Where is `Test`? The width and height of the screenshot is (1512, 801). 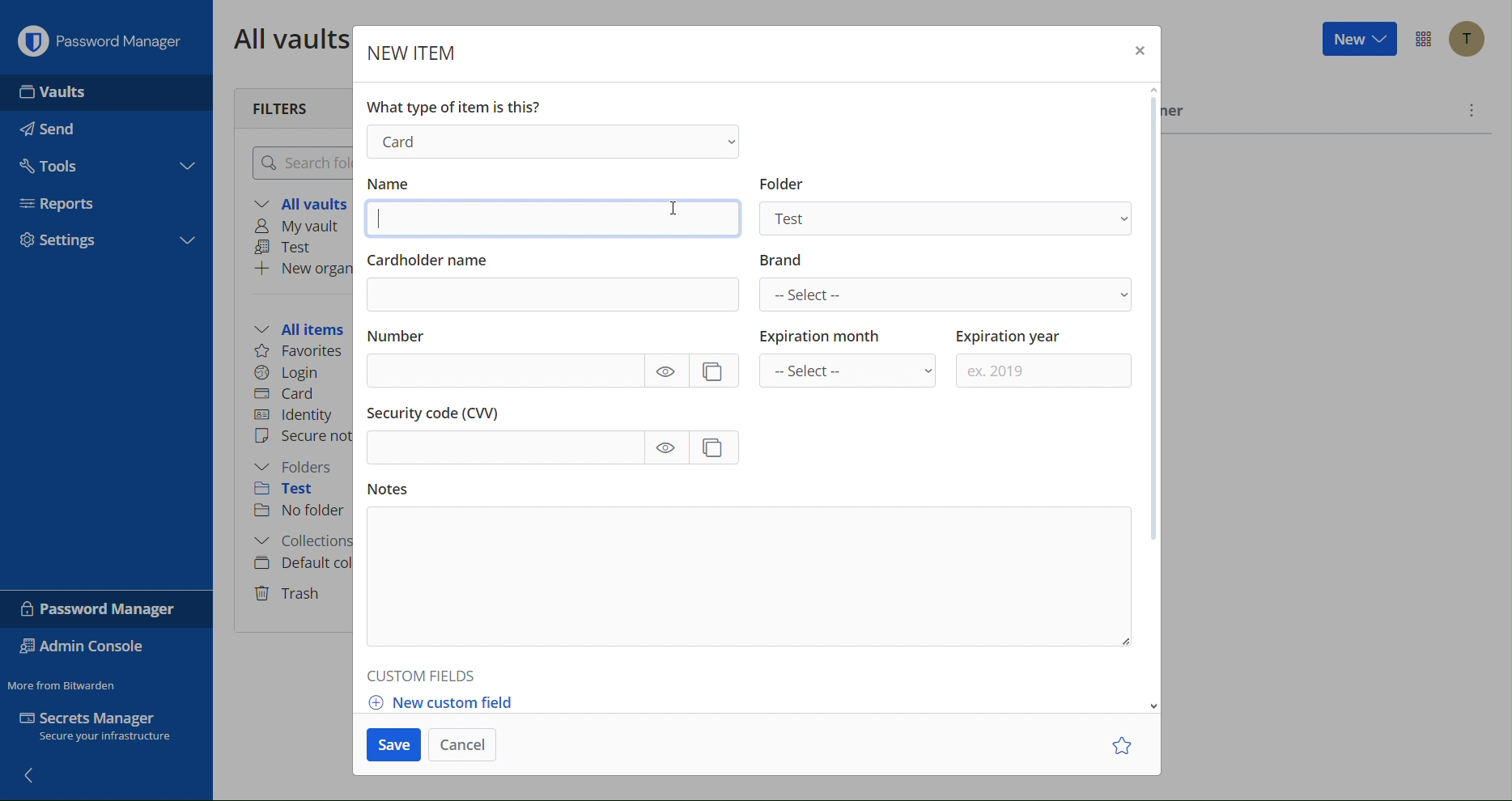 Test is located at coordinates (289, 246).